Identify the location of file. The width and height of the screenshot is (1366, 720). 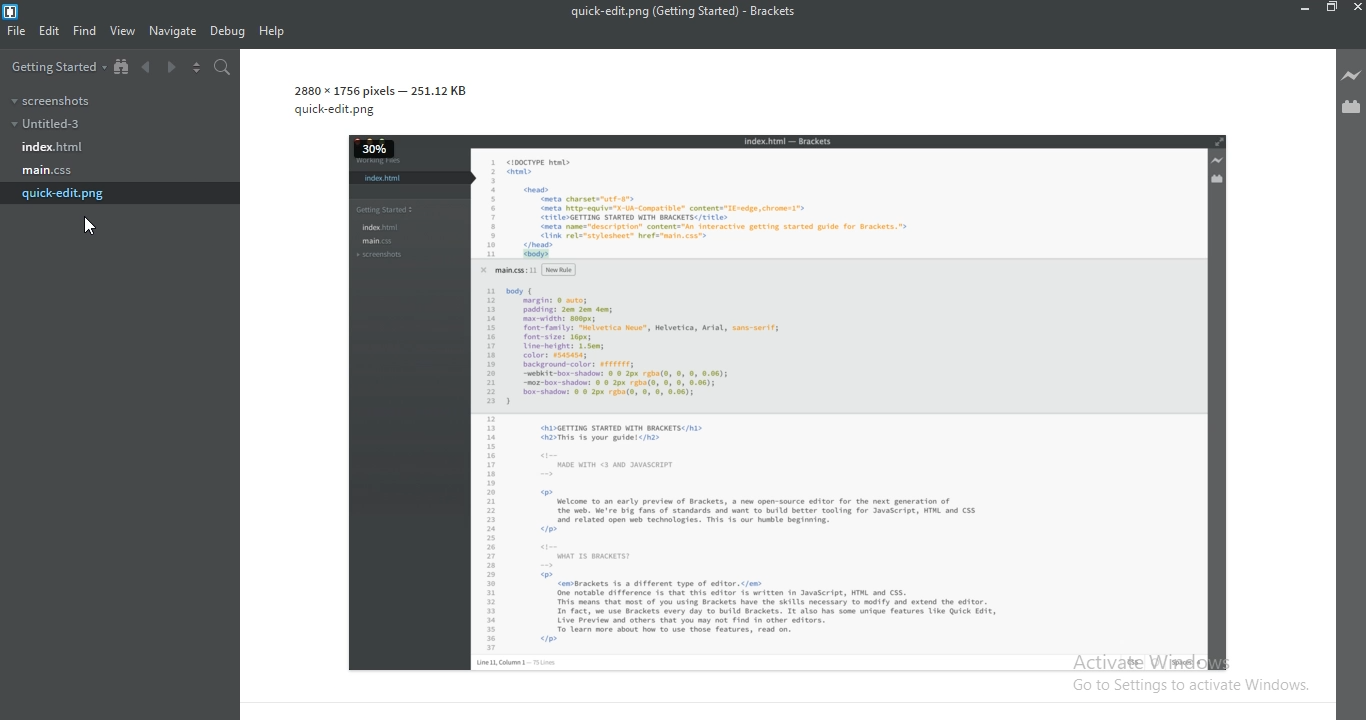
(18, 33).